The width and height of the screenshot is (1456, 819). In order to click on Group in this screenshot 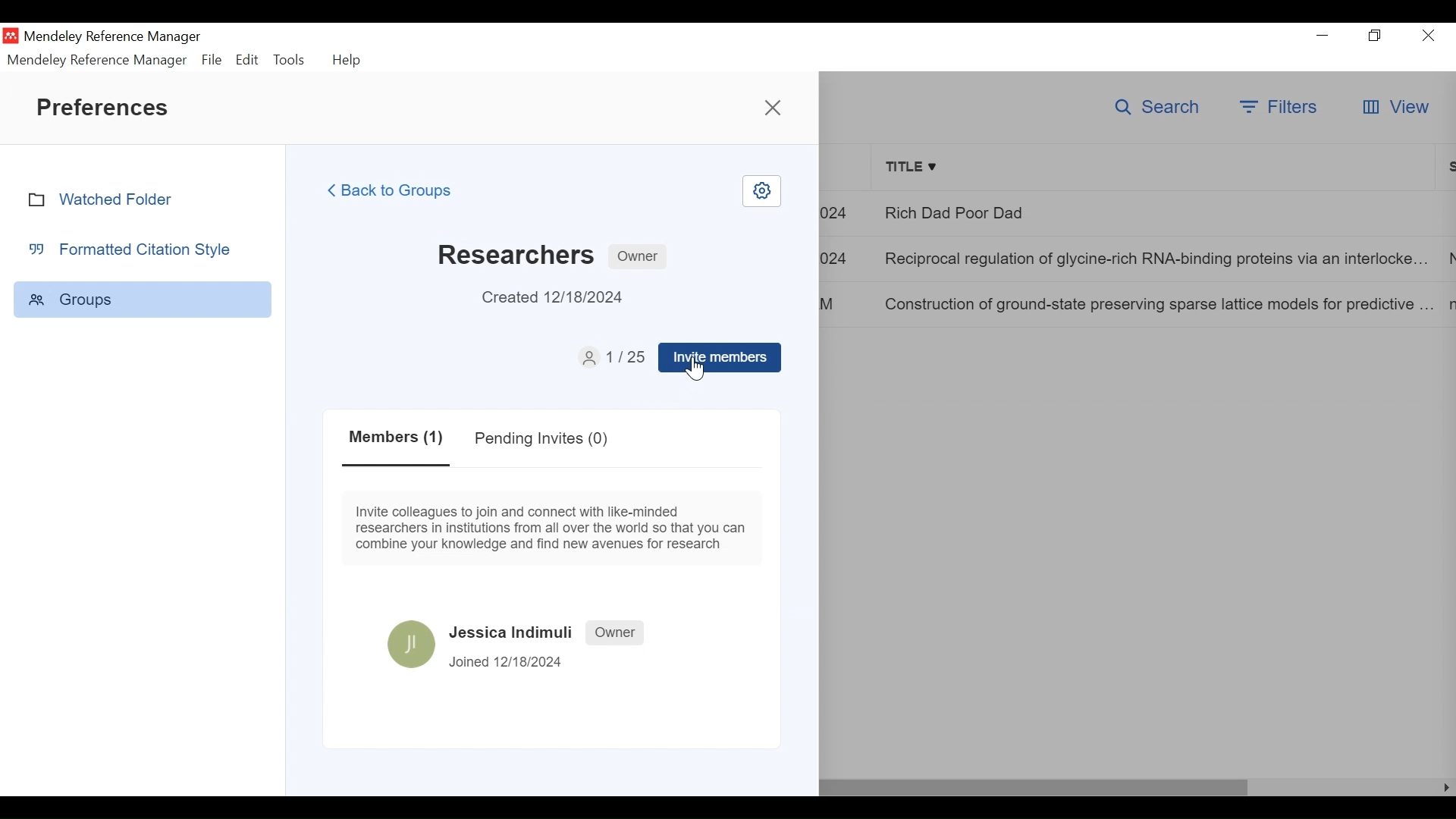, I will do `click(143, 299)`.